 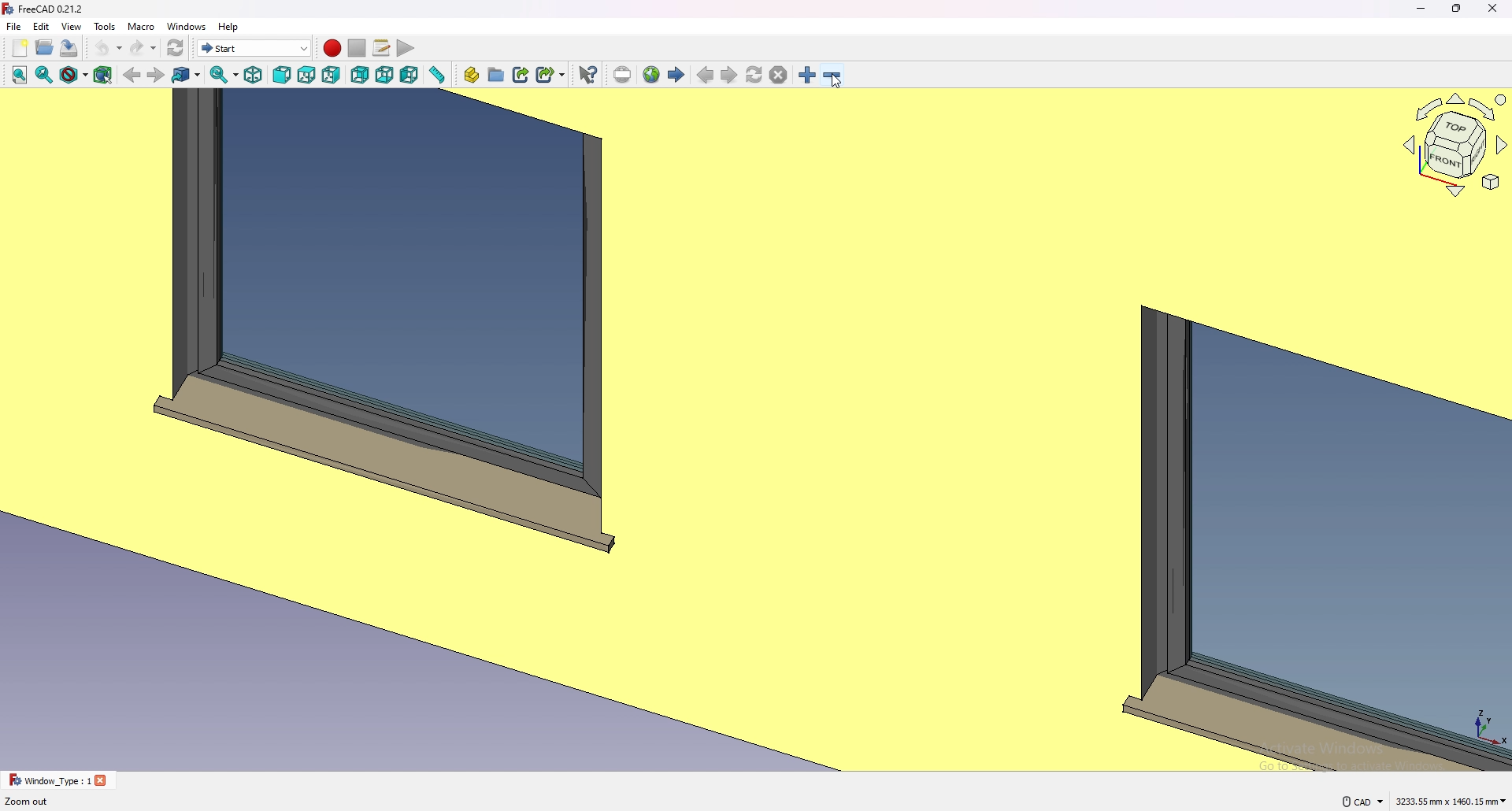 What do you see at coordinates (307, 75) in the screenshot?
I see `top` at bounding box center [307, 75].